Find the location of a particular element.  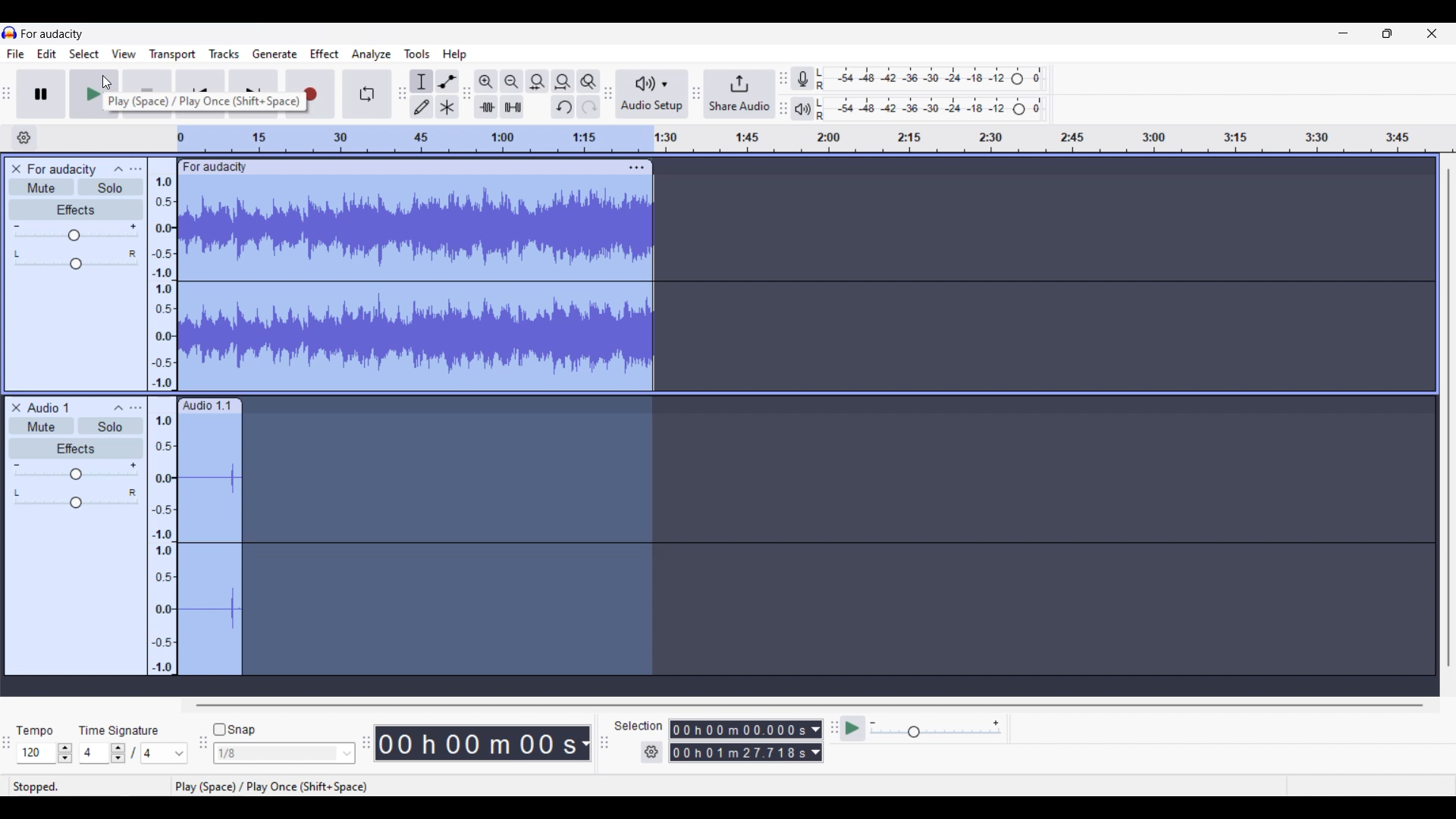

for audacity is located at coordinates (52, 35).